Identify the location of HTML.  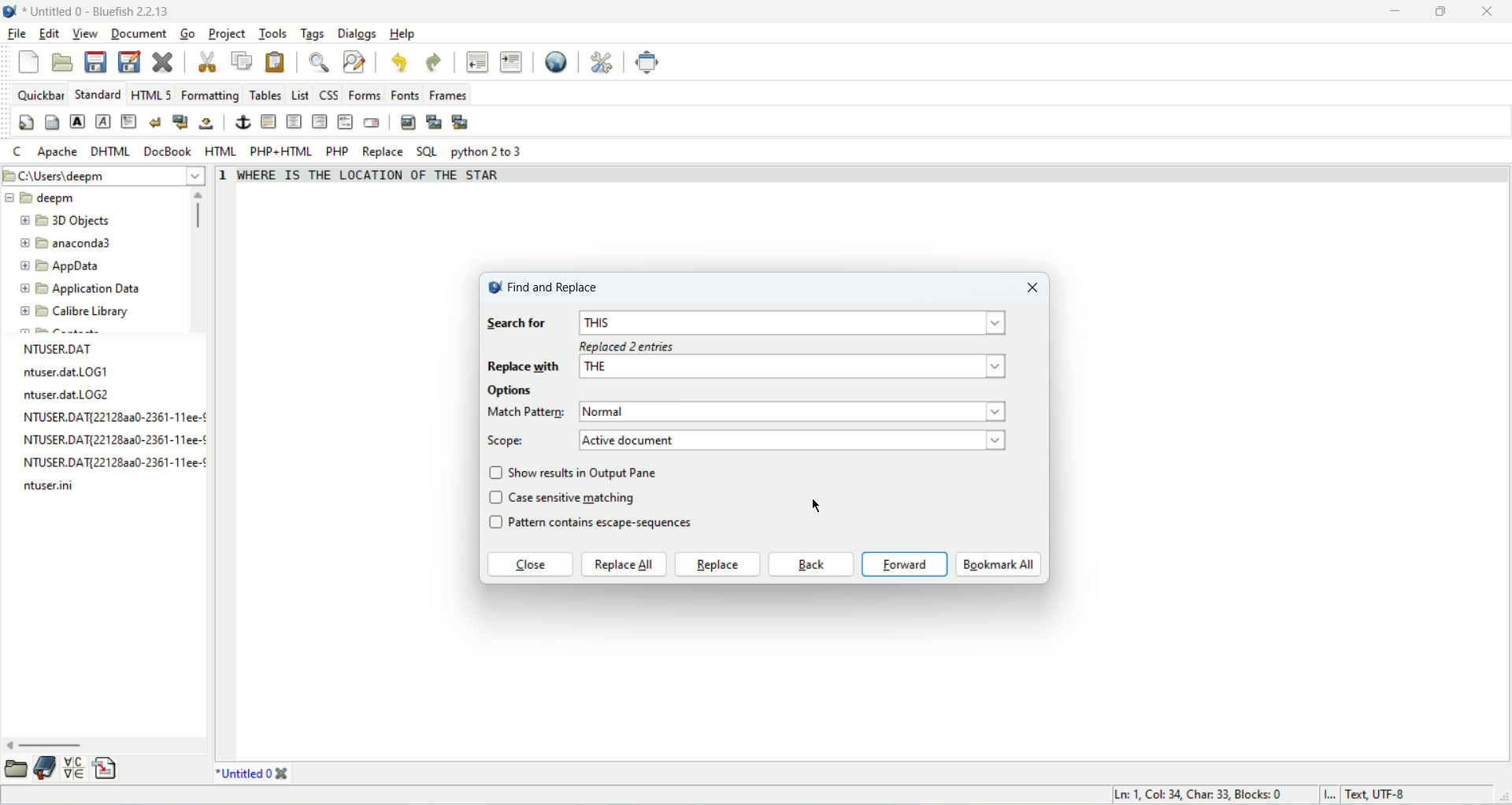
(223, 151).